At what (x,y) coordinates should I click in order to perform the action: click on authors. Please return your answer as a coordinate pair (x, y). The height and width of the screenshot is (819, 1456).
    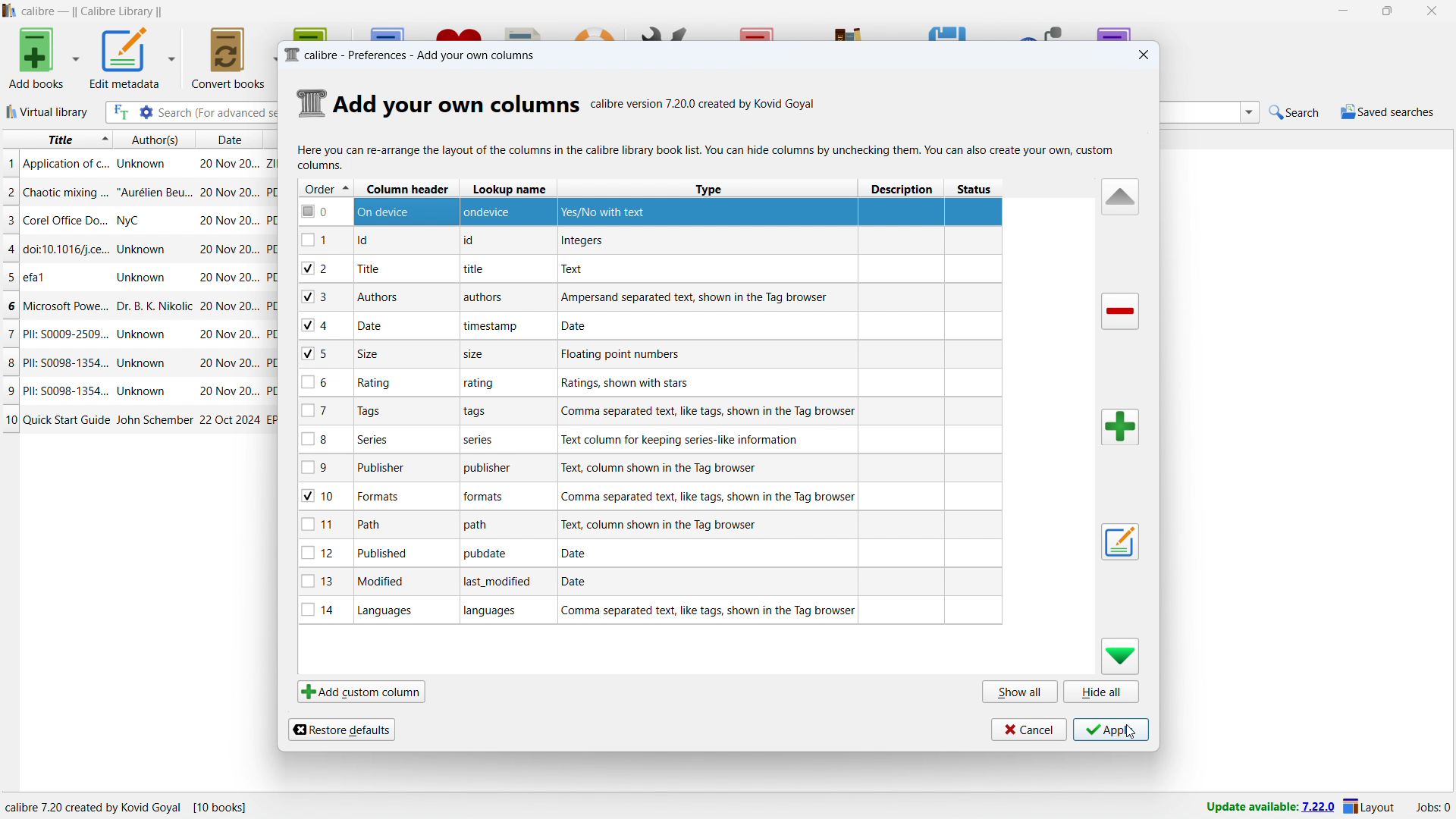
    Looking at the image, I should click on (487, 299).